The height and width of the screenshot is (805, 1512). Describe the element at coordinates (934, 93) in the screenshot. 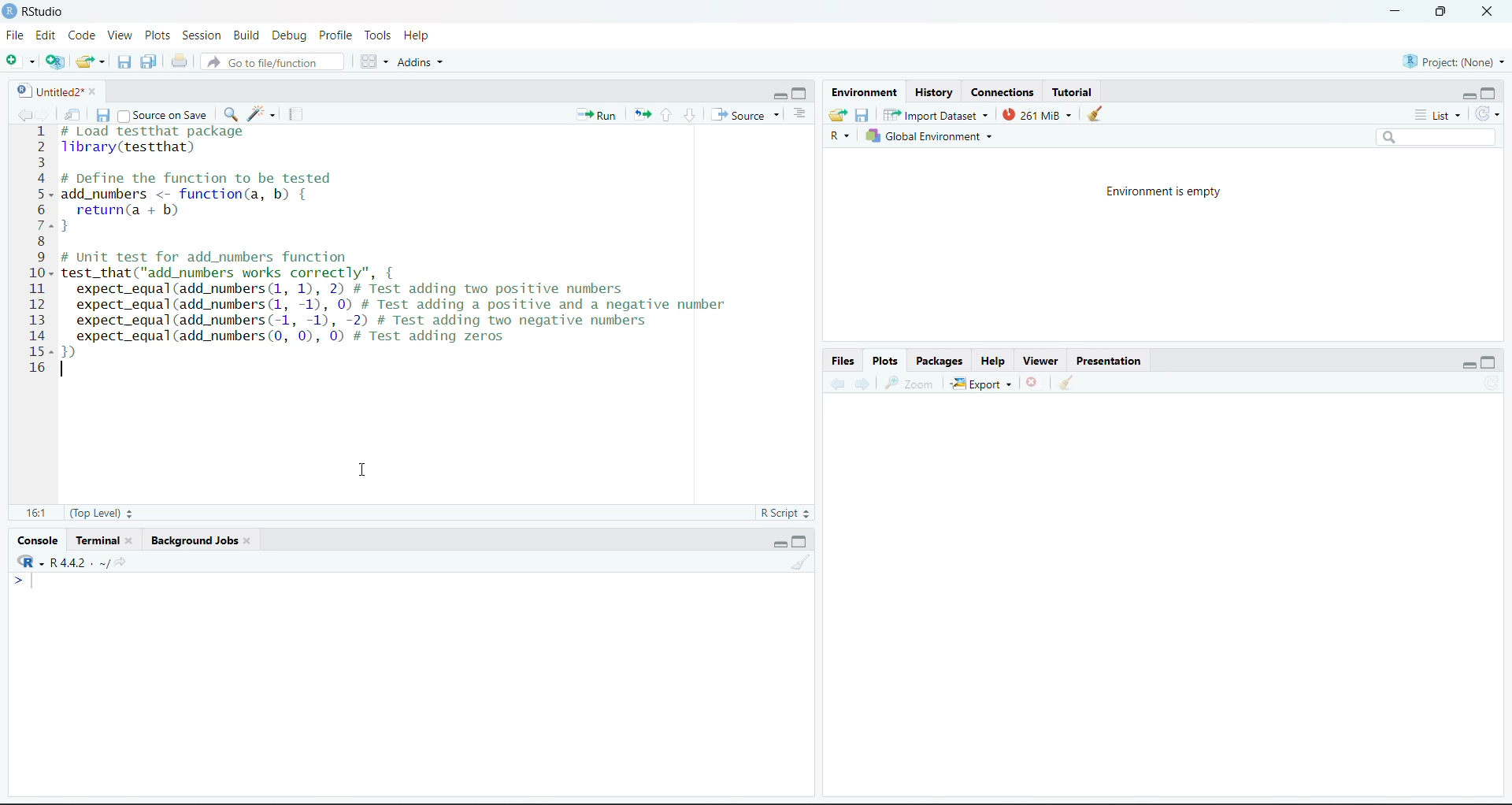

I see `History` at that location.